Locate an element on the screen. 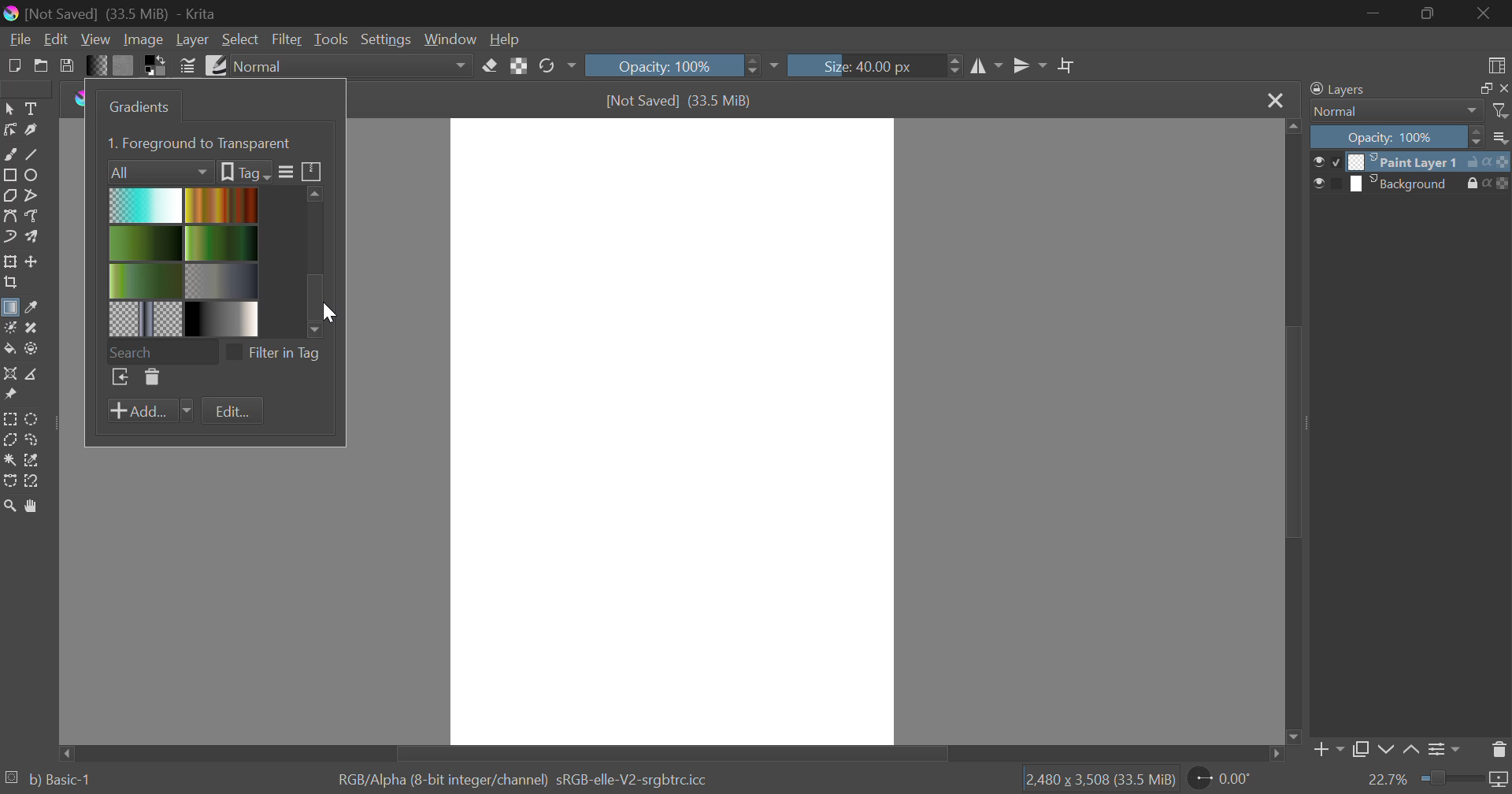  Search is located at coordinates (161, 350).